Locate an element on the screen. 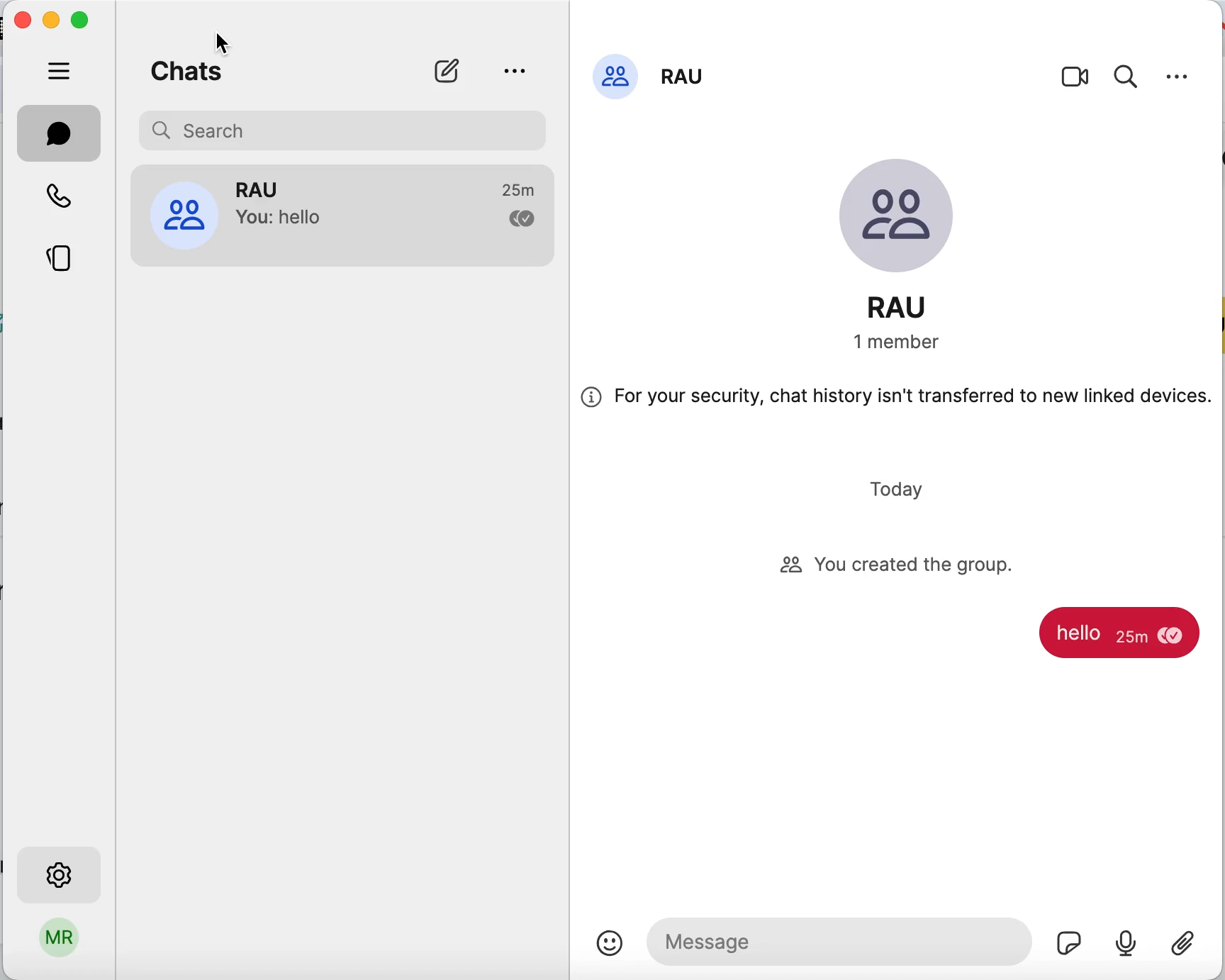 The height and width of the screenshot is (980, 1225). for your security, chat history isn't transferred is located at coordinates (898, 404).